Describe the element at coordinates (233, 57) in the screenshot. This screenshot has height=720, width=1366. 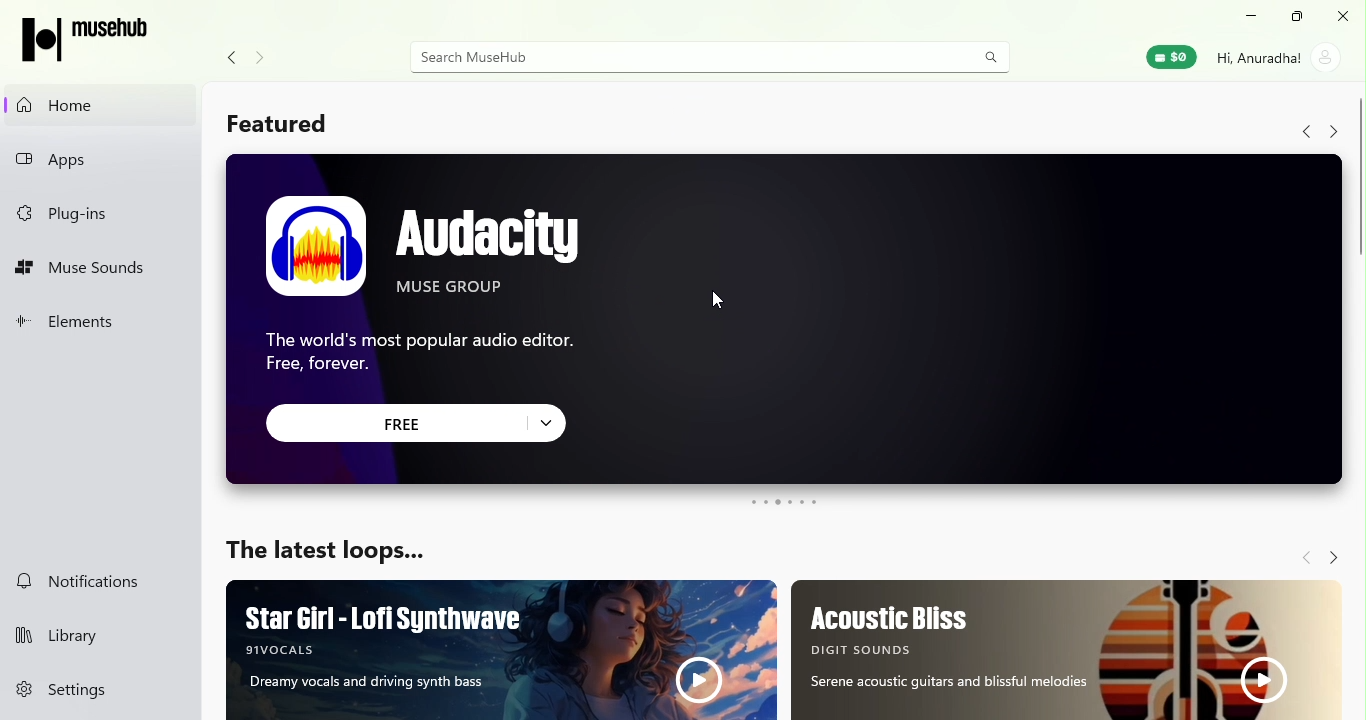
I see `Navigate back` at that location.